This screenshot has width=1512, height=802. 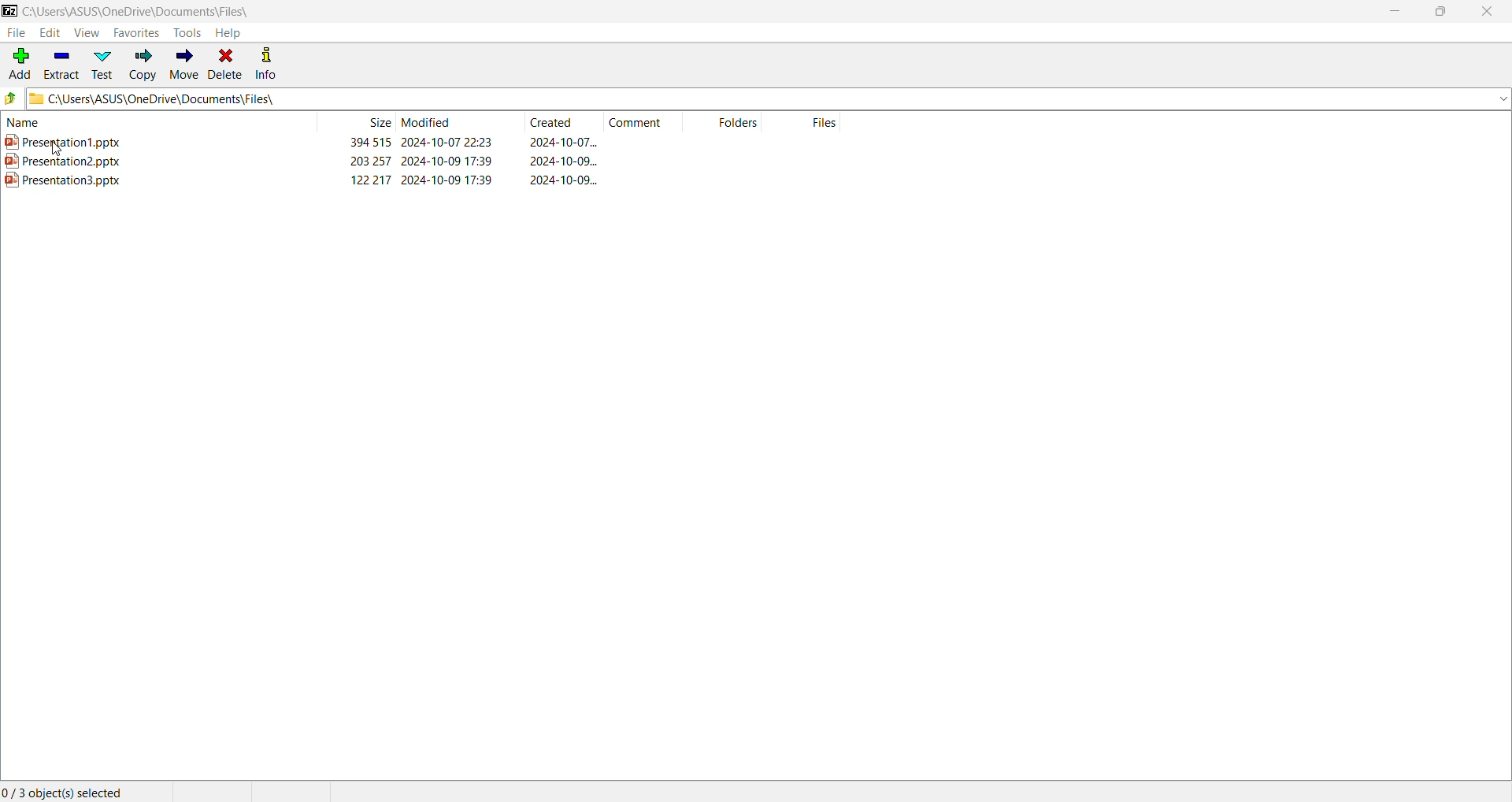 What do you see at coordinates (180, 100) in the screenshot?
I see `C\Users\ASUS\OneDrive\Documents\Files\` at bounding box center [180, 100].